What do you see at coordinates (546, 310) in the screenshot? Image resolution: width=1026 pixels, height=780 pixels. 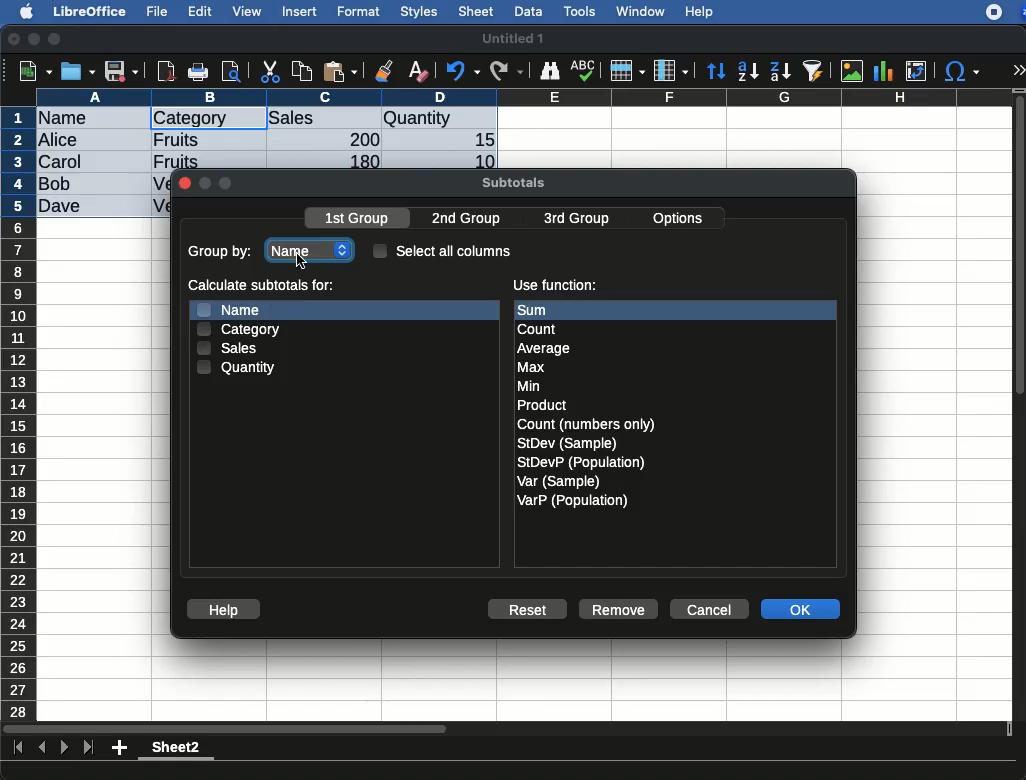 I see `Sum` at bounding box center [546, 310].